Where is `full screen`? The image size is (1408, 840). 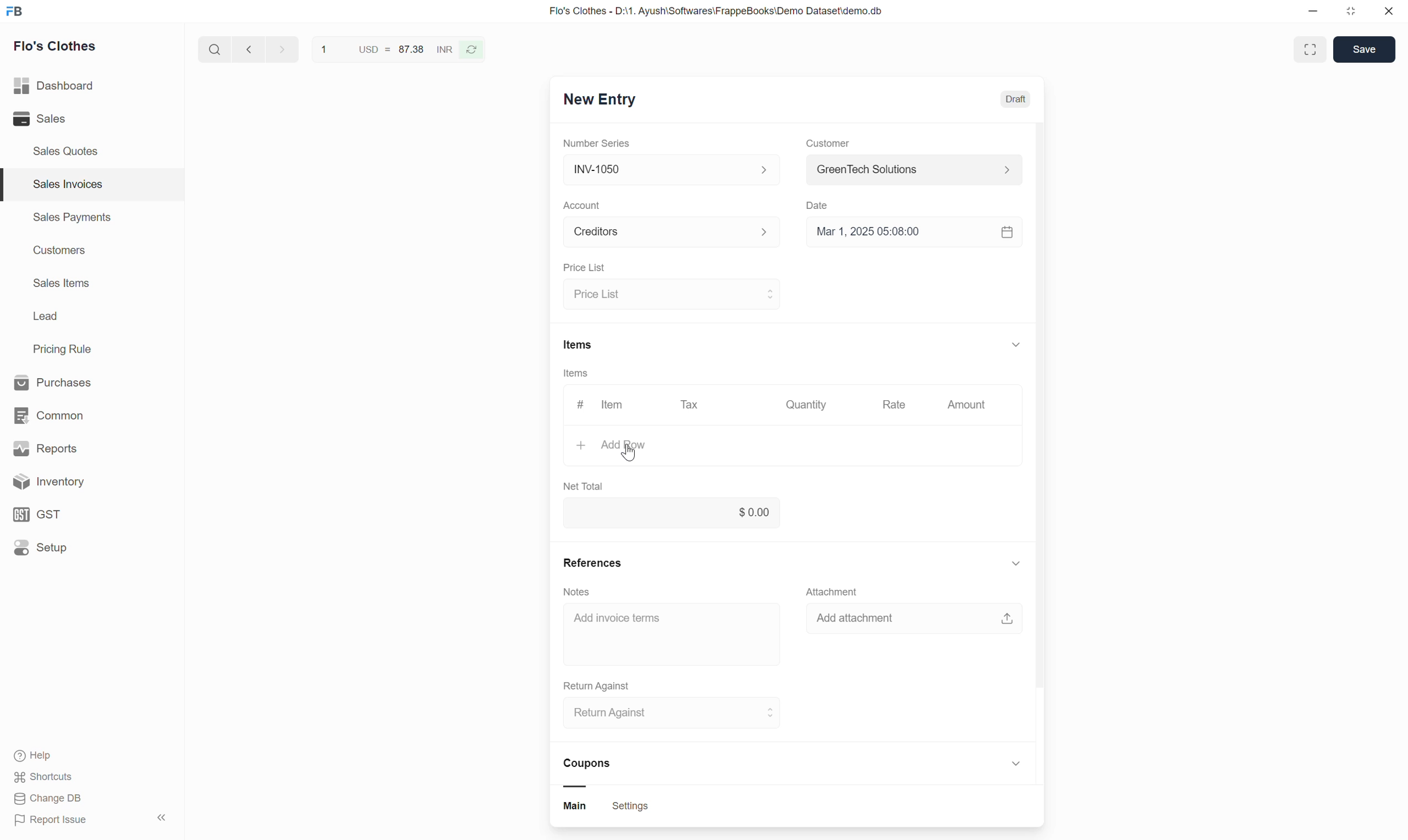
full screen is located at coordinates (1312, 49).